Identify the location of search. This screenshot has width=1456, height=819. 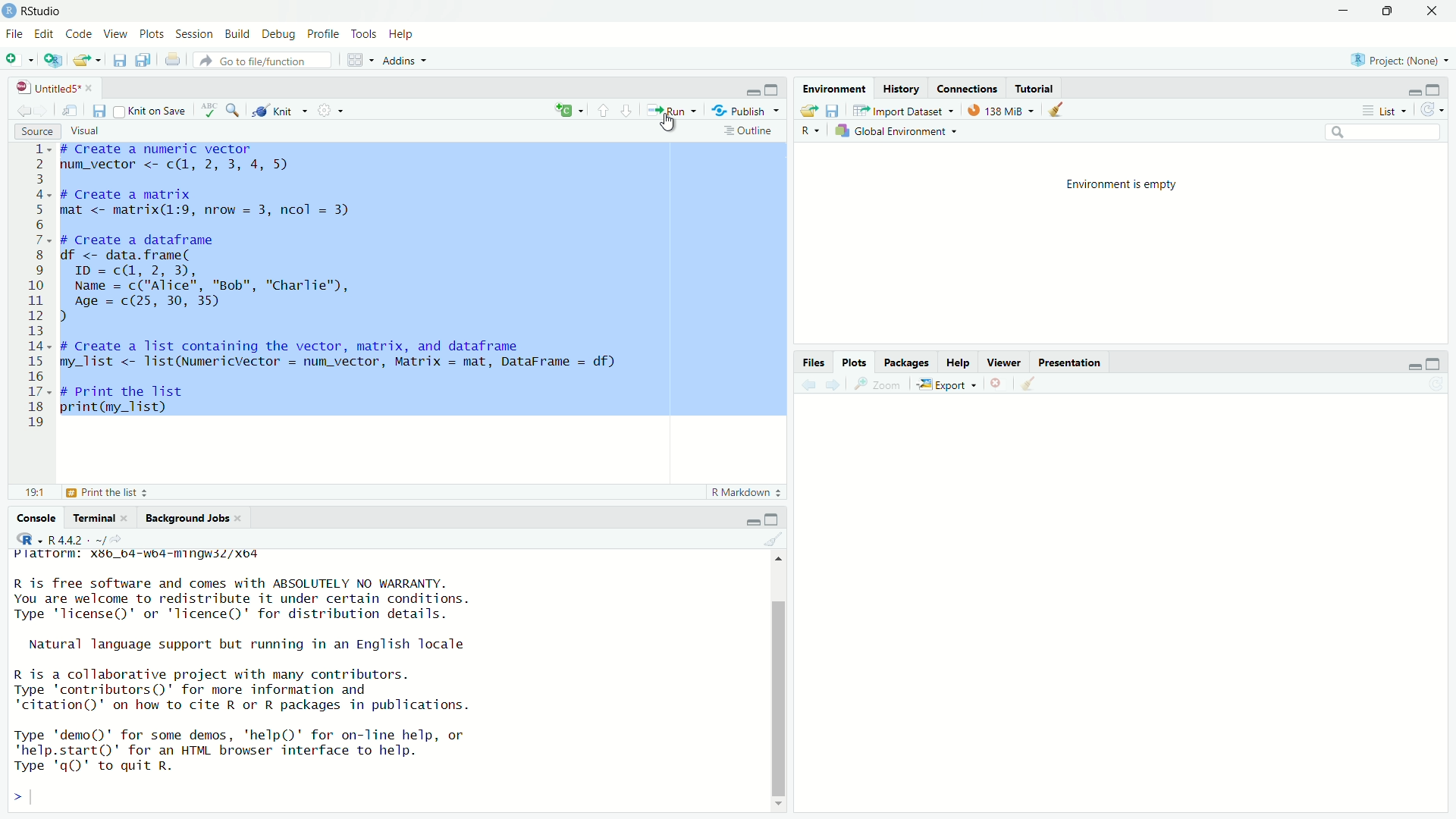
(1384, 134).